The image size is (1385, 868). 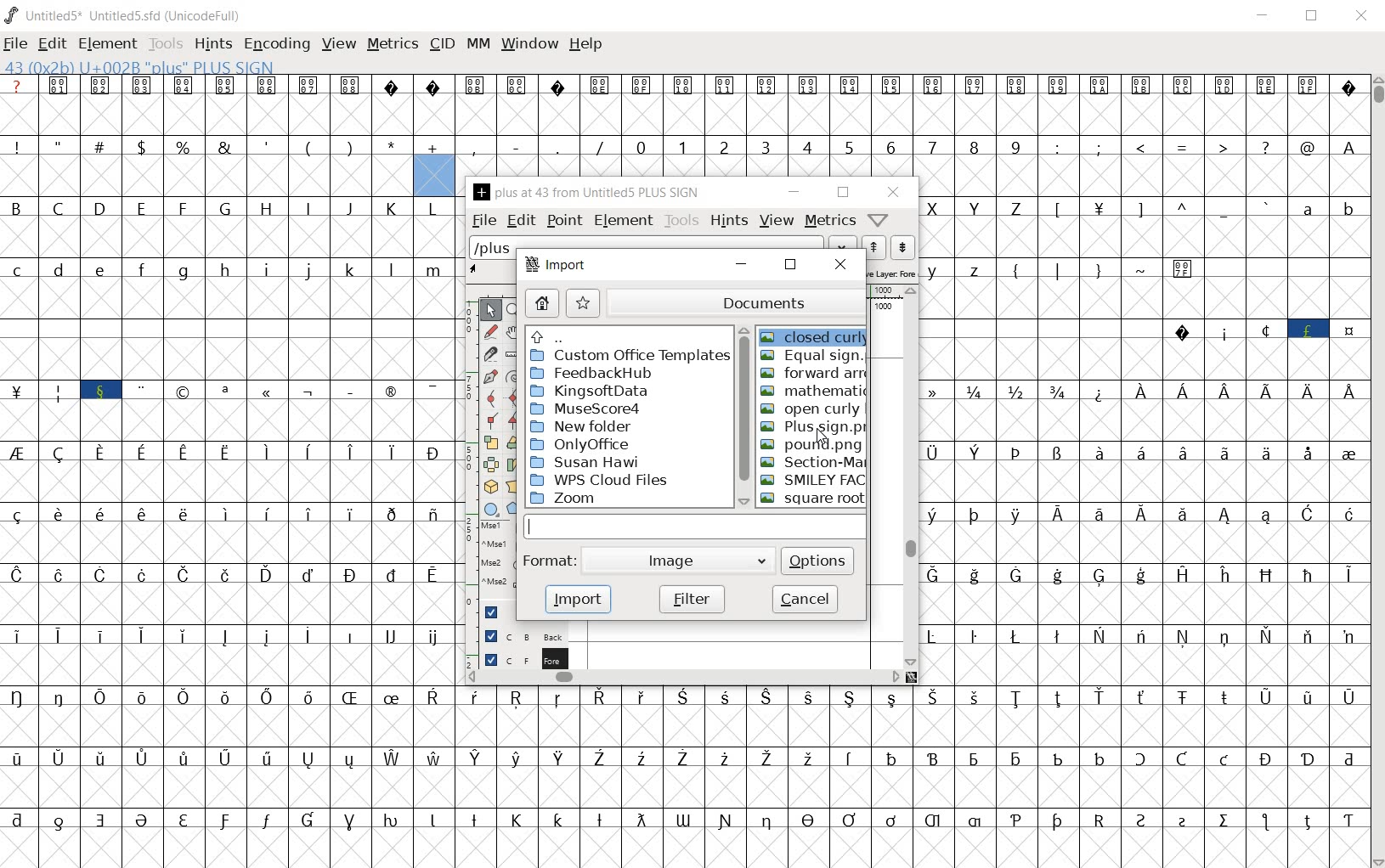 What do you see at coordinates (729, 223) in the screenshot?
I see `hints` at bounding box center [729, 223].